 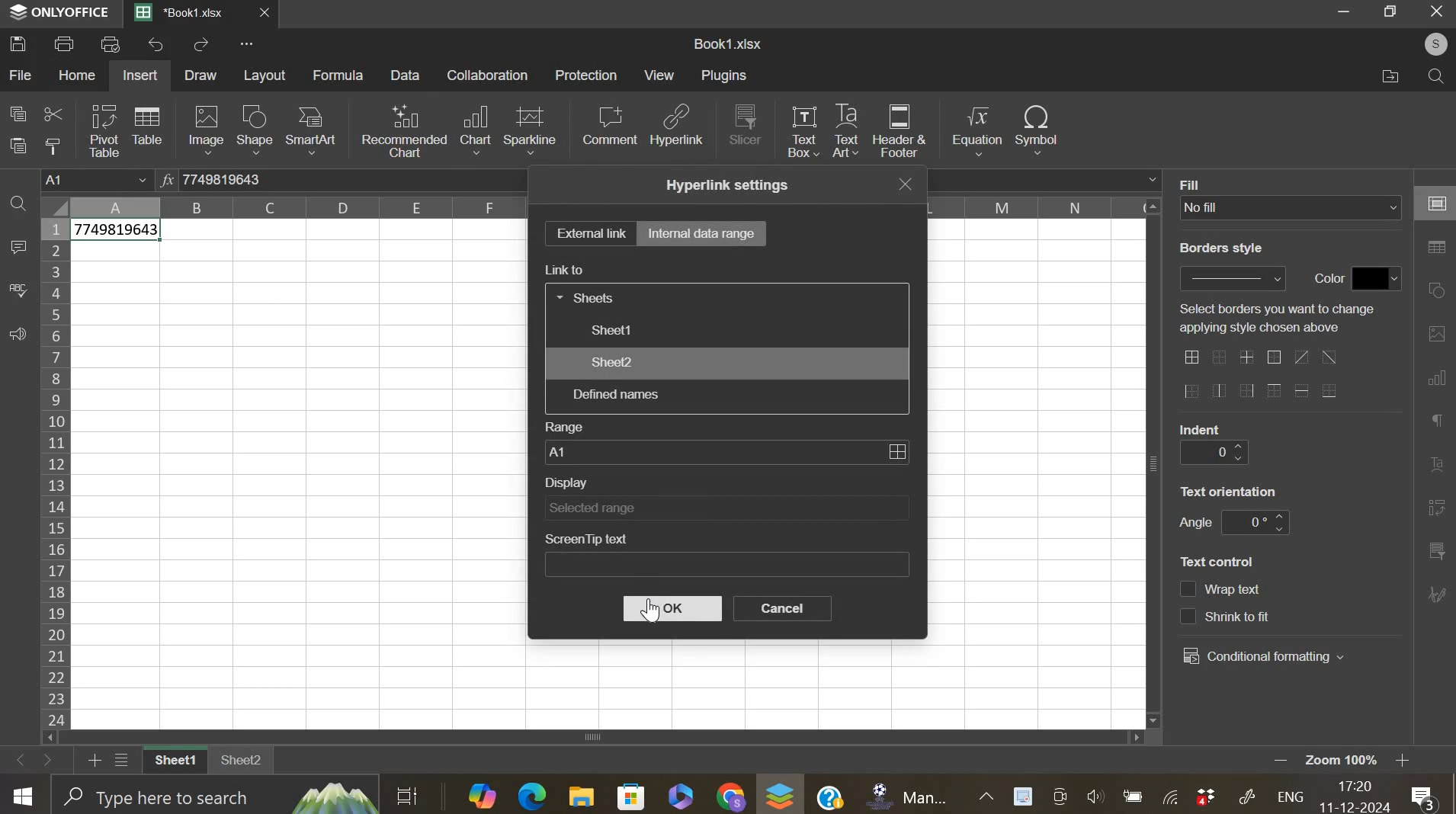 What do you see at coordinates (589, 232) in the screenshot?
I see `external link` at bounding box center [589, 232].